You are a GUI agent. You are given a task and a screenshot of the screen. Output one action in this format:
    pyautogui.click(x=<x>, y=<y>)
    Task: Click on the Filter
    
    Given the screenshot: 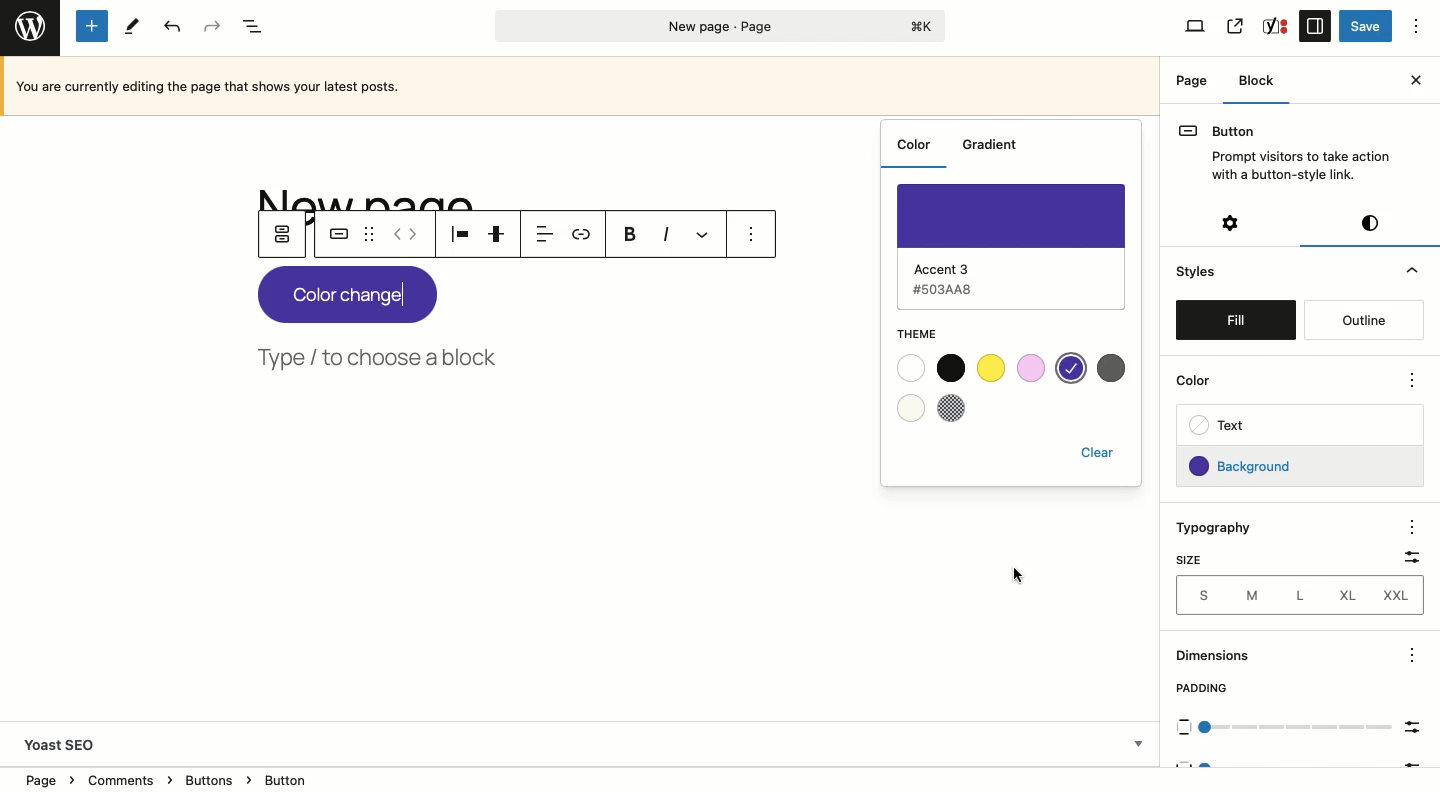 What is the action you would take?
    pyautogui.click(x=1406, y=557)
    